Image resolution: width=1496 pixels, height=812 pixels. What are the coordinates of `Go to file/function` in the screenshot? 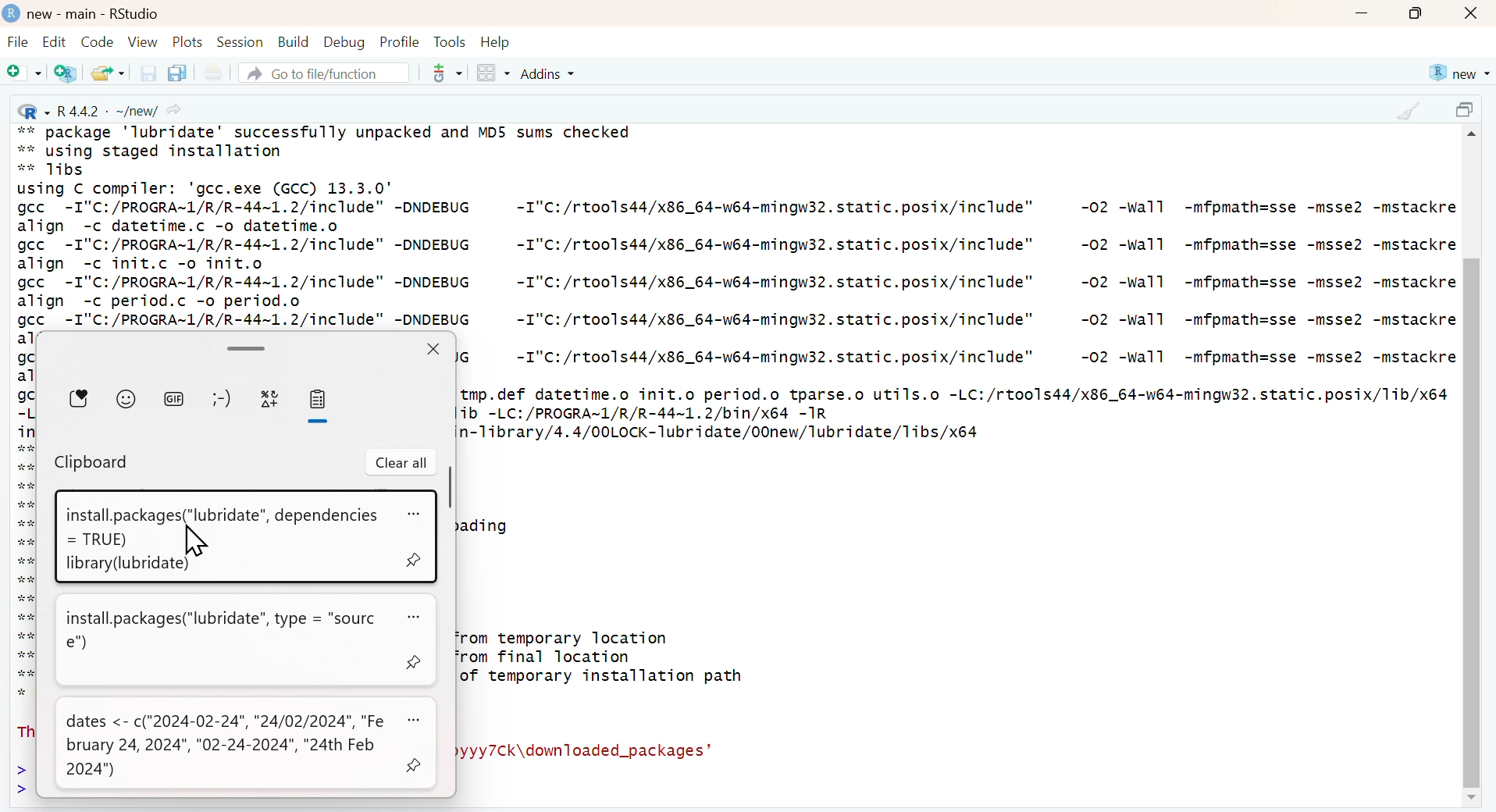 It's located at (322, 73).